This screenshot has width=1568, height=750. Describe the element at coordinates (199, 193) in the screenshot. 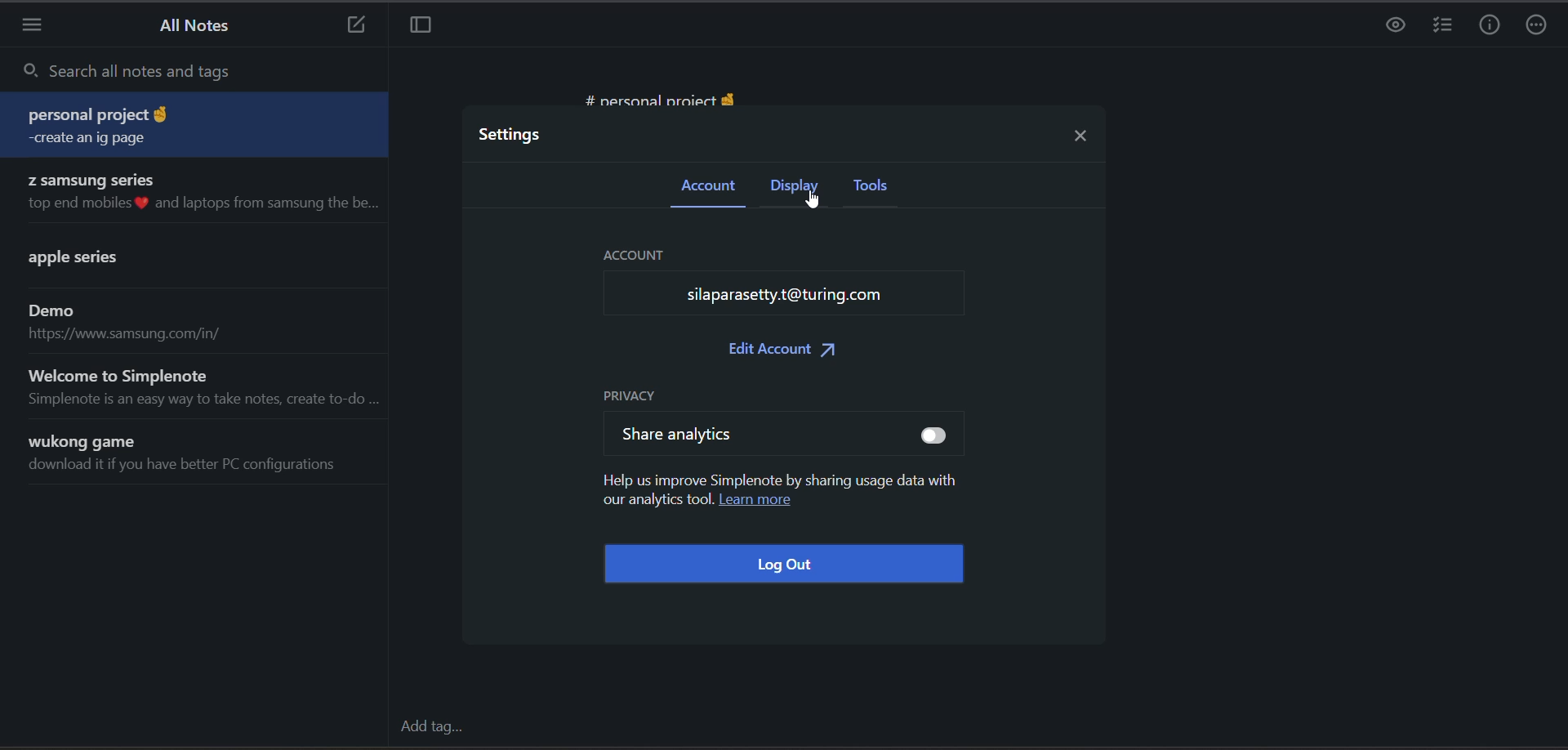

I see `note title and preview` at that location.